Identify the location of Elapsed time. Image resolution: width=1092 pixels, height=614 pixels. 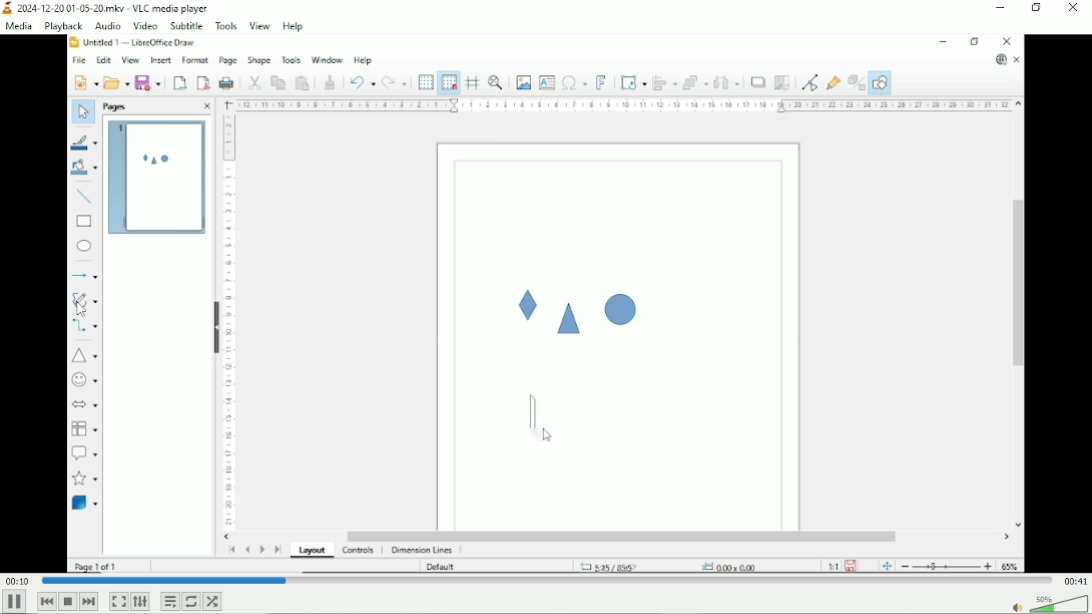
(17, 581).